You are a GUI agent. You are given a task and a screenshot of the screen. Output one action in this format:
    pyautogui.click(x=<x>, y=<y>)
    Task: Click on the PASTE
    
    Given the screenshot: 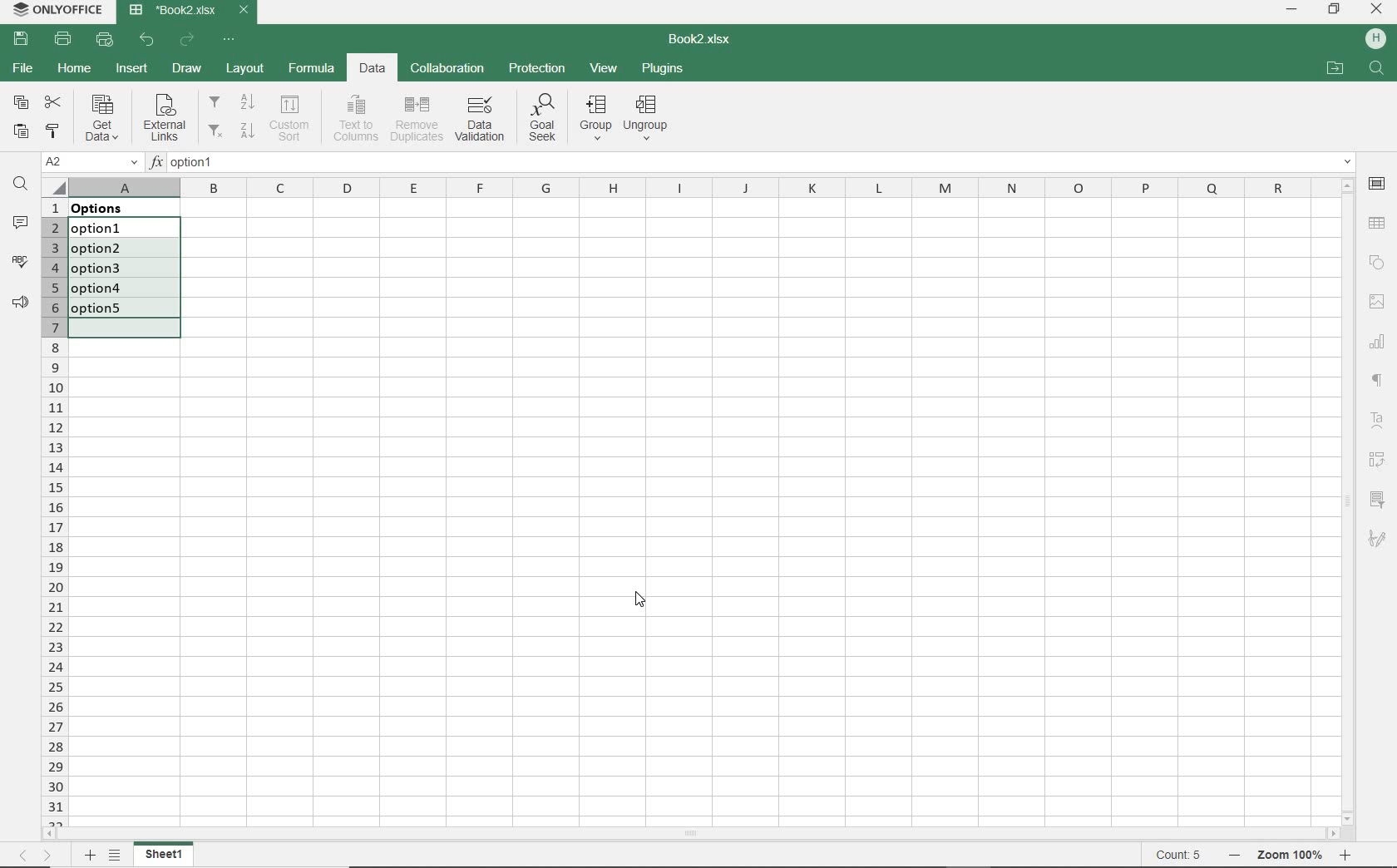 What is the action you would take?
    pyautogui.click(x=24, y=130)
    